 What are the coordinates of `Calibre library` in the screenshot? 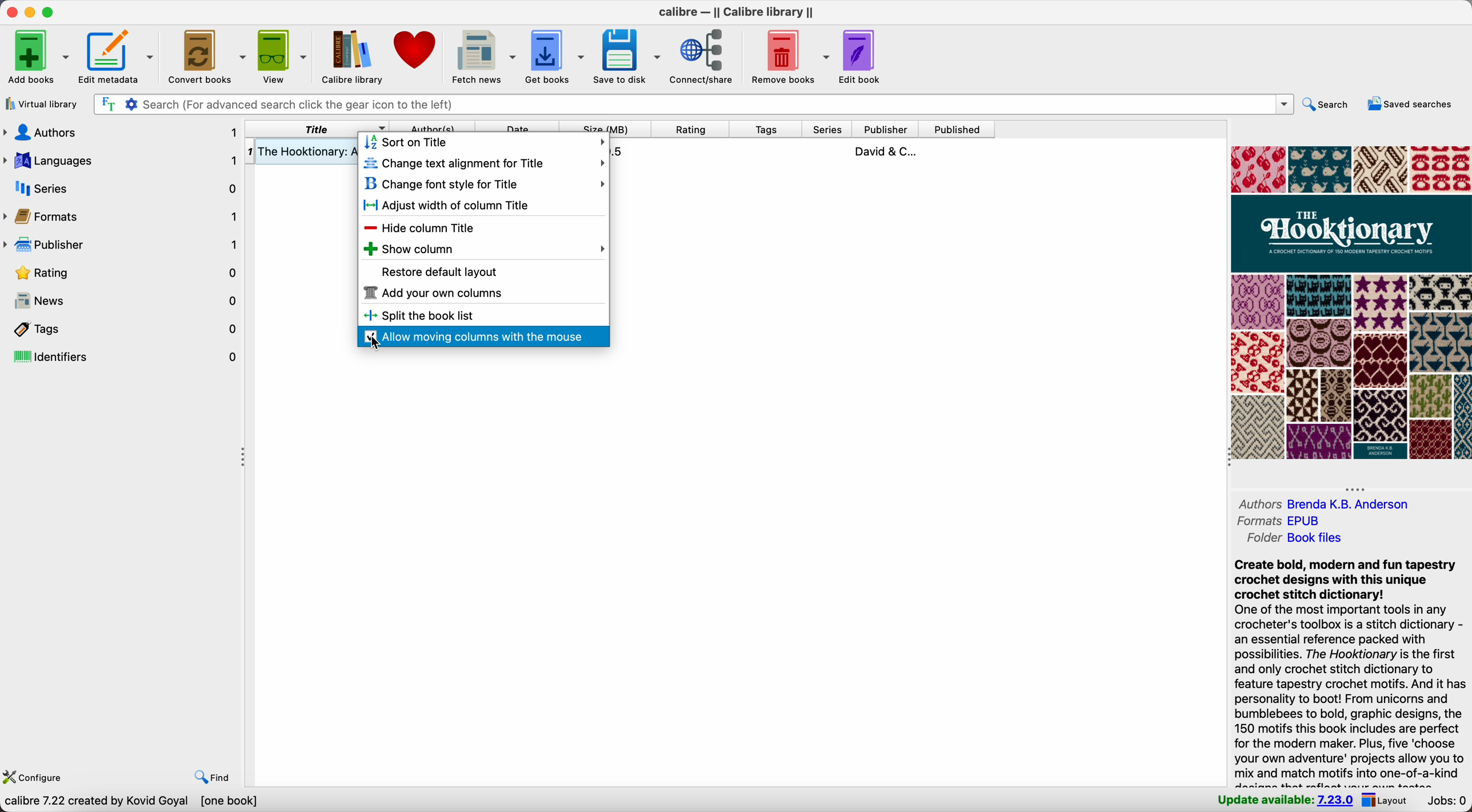 It's located at (351, 55).